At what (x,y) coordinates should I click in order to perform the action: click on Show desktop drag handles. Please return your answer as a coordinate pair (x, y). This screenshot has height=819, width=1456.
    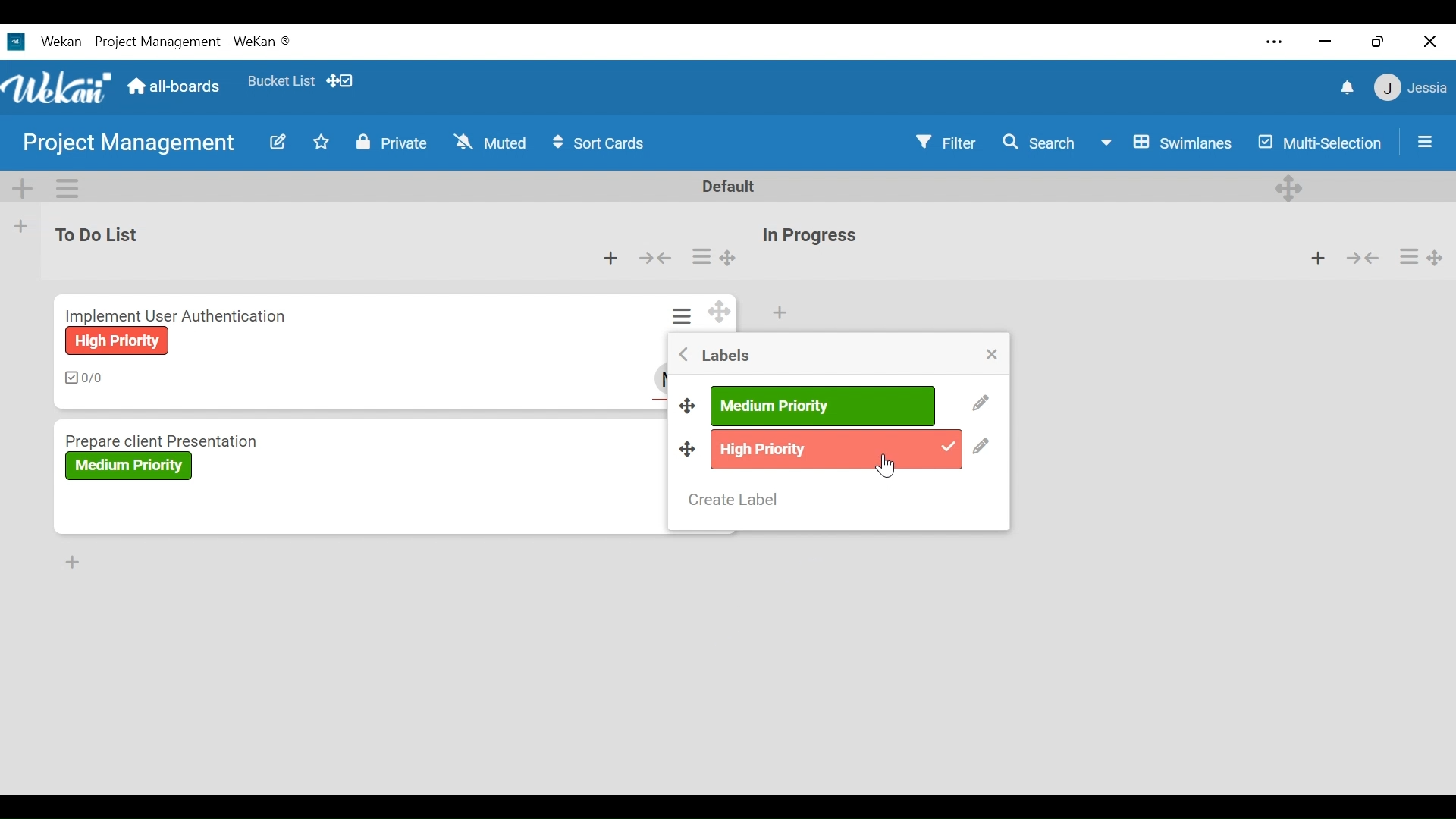
    Looking at the image, I should click on (343, 81).